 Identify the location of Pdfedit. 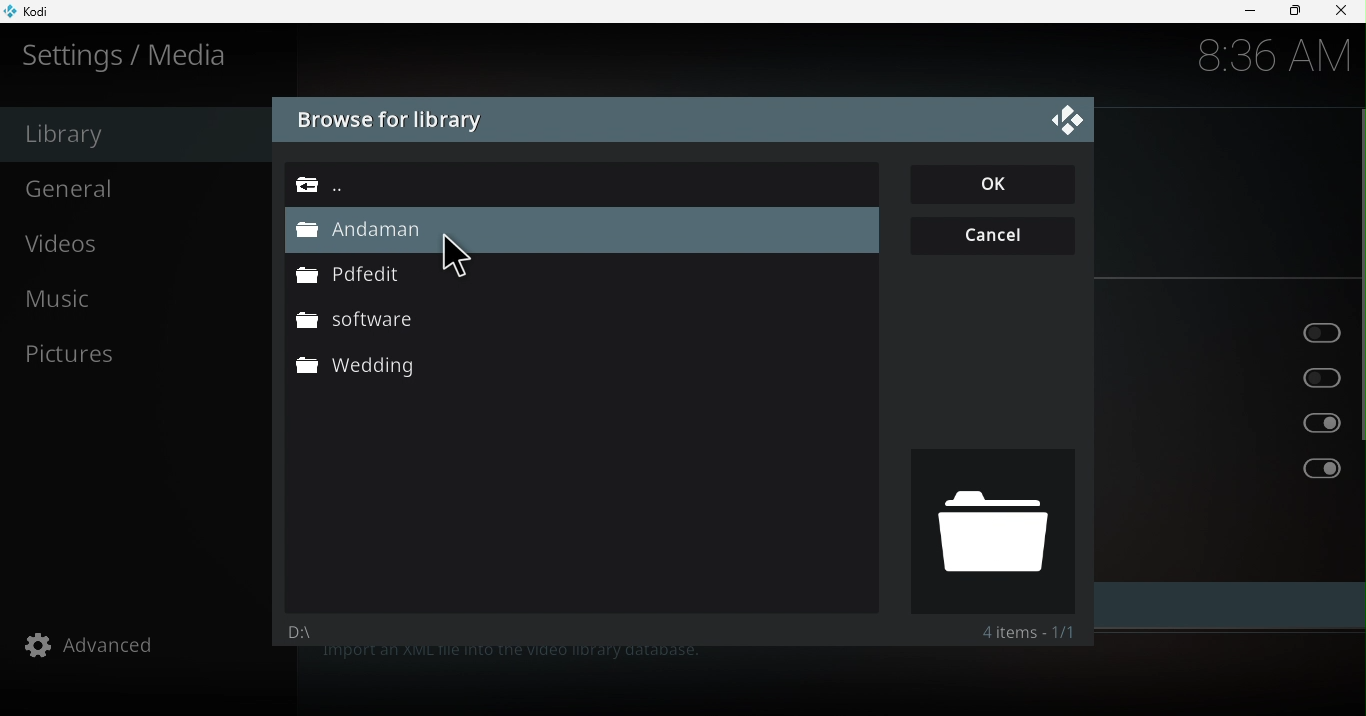
(360, 273).